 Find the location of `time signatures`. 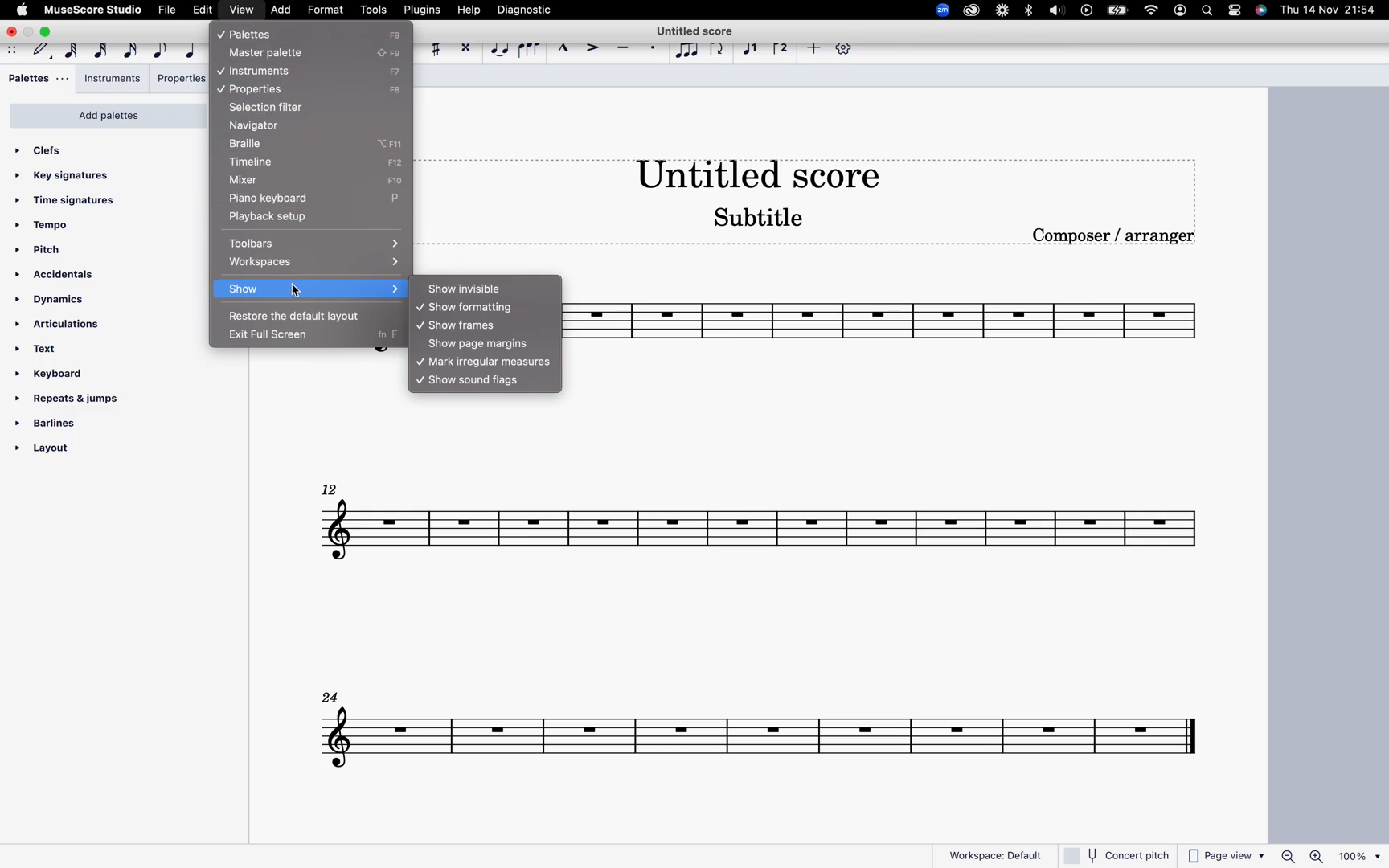

time signatures is located at coordinates (68, 202).